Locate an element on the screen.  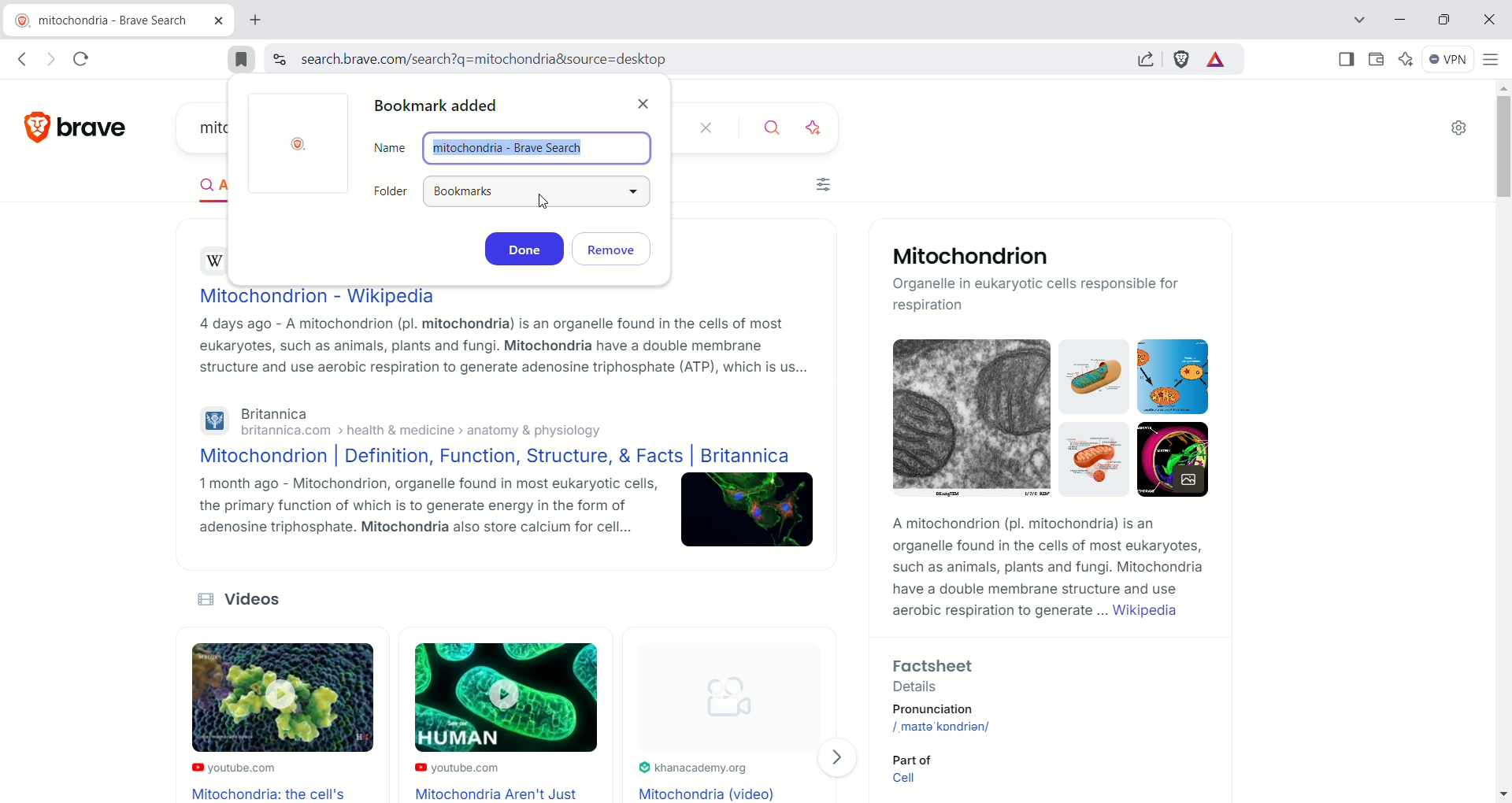
filter is located at coordinates (823, 187).